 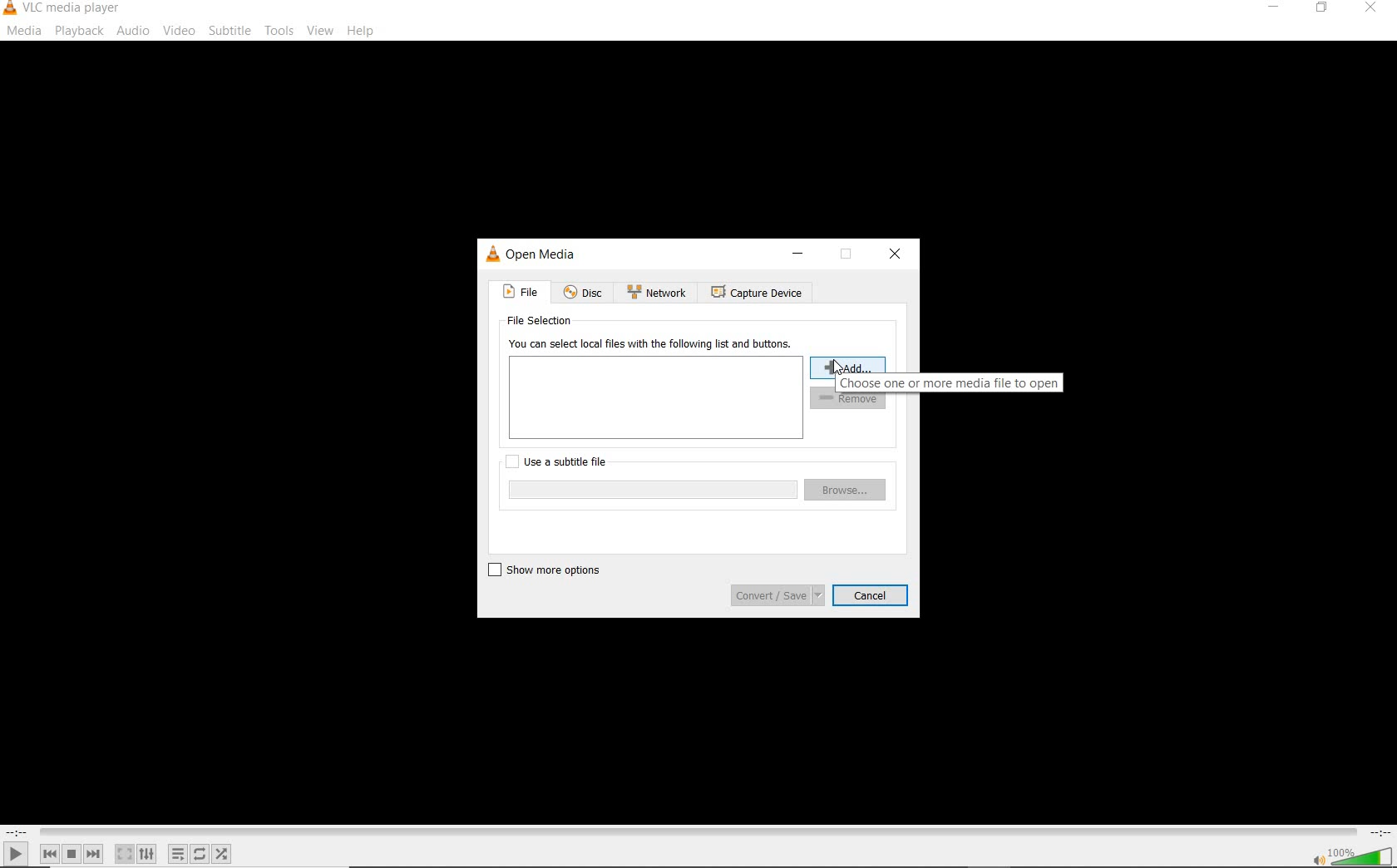 What do you see at coordinates (846, 256) in the screenshot?
I see `restore down` at bounding box center [846, 256].